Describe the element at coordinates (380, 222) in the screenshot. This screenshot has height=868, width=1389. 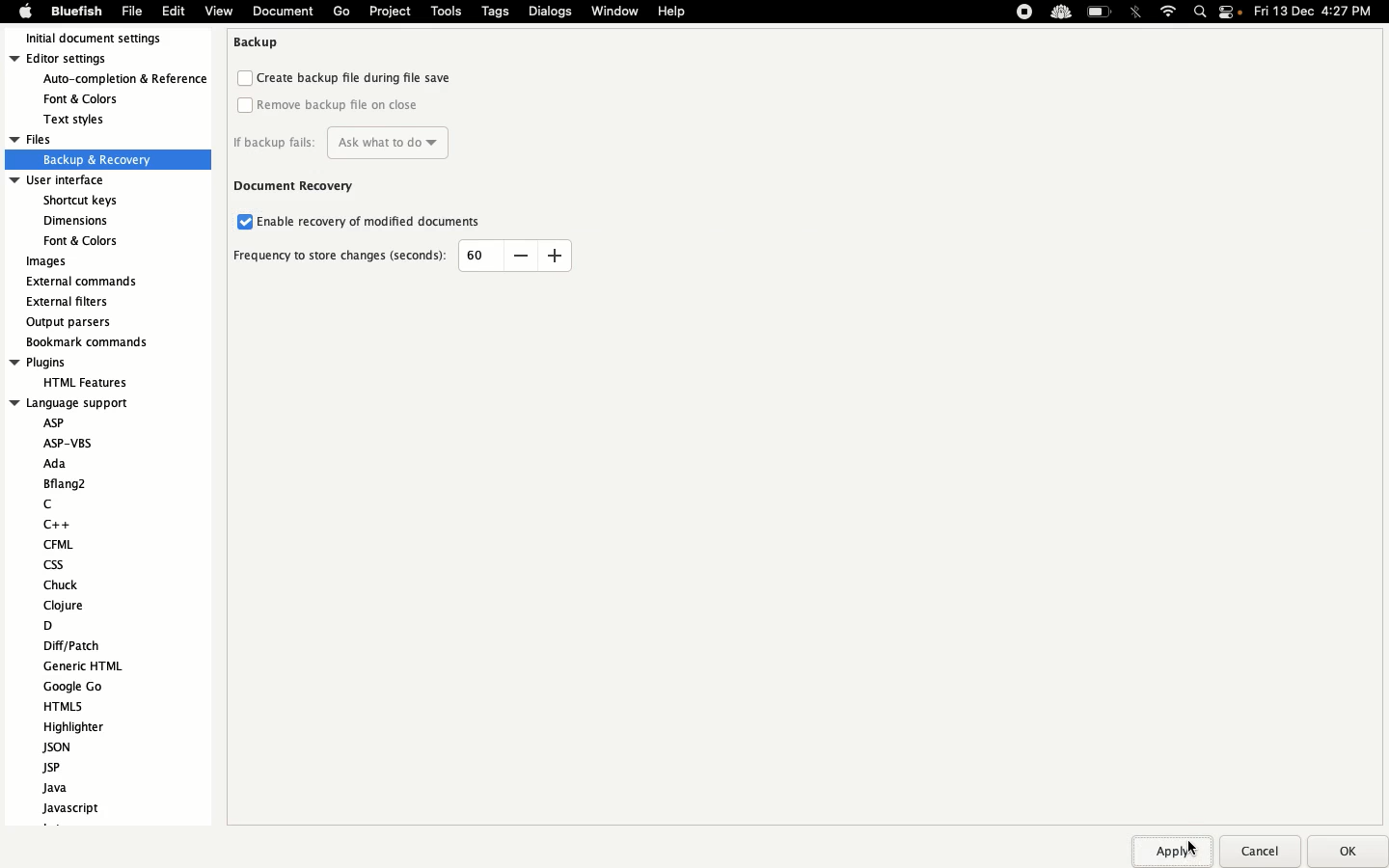
I see `Enable recovery of modified documents` at that location.